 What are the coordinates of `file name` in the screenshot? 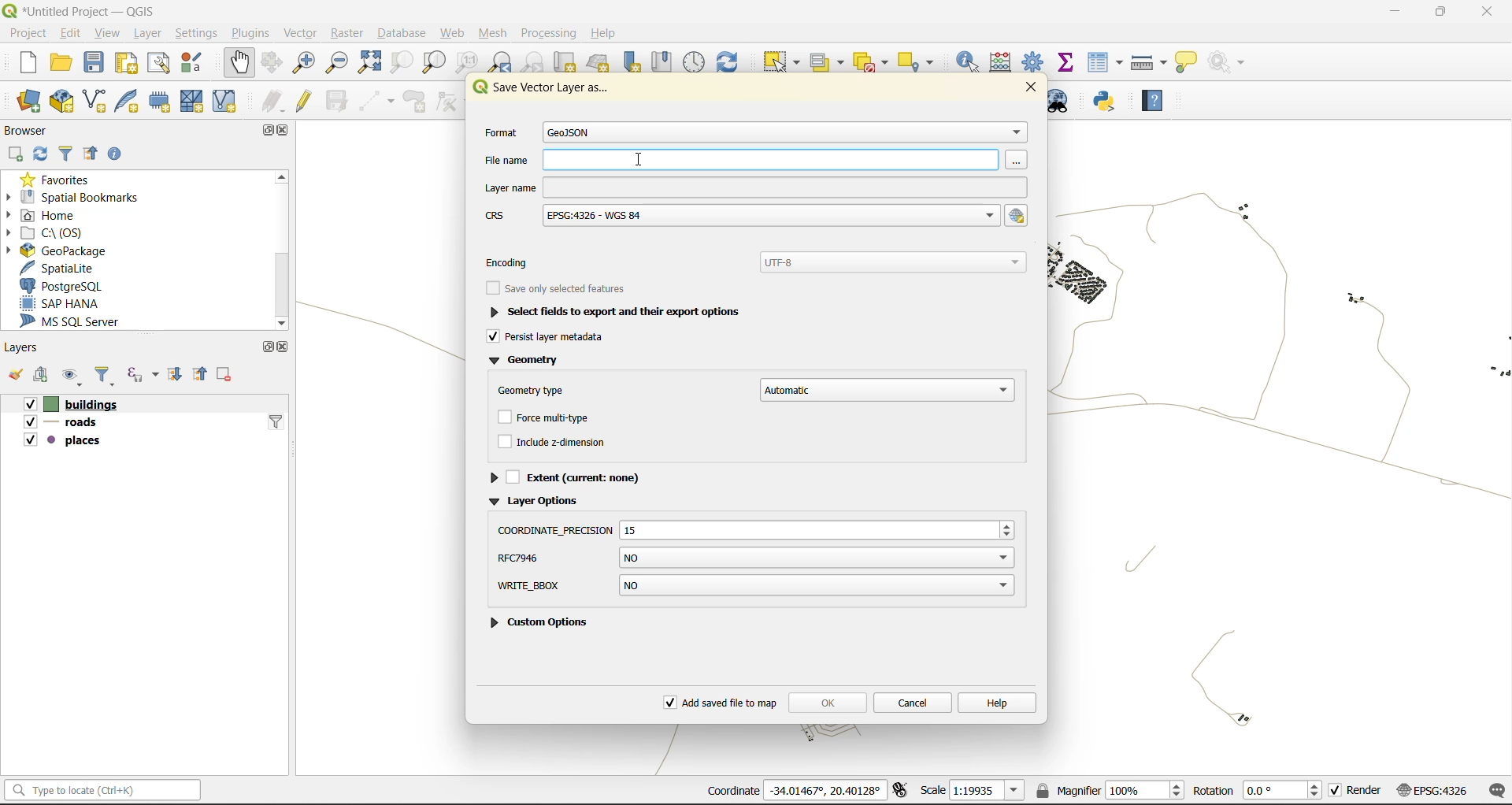 It's located at (754, 159).